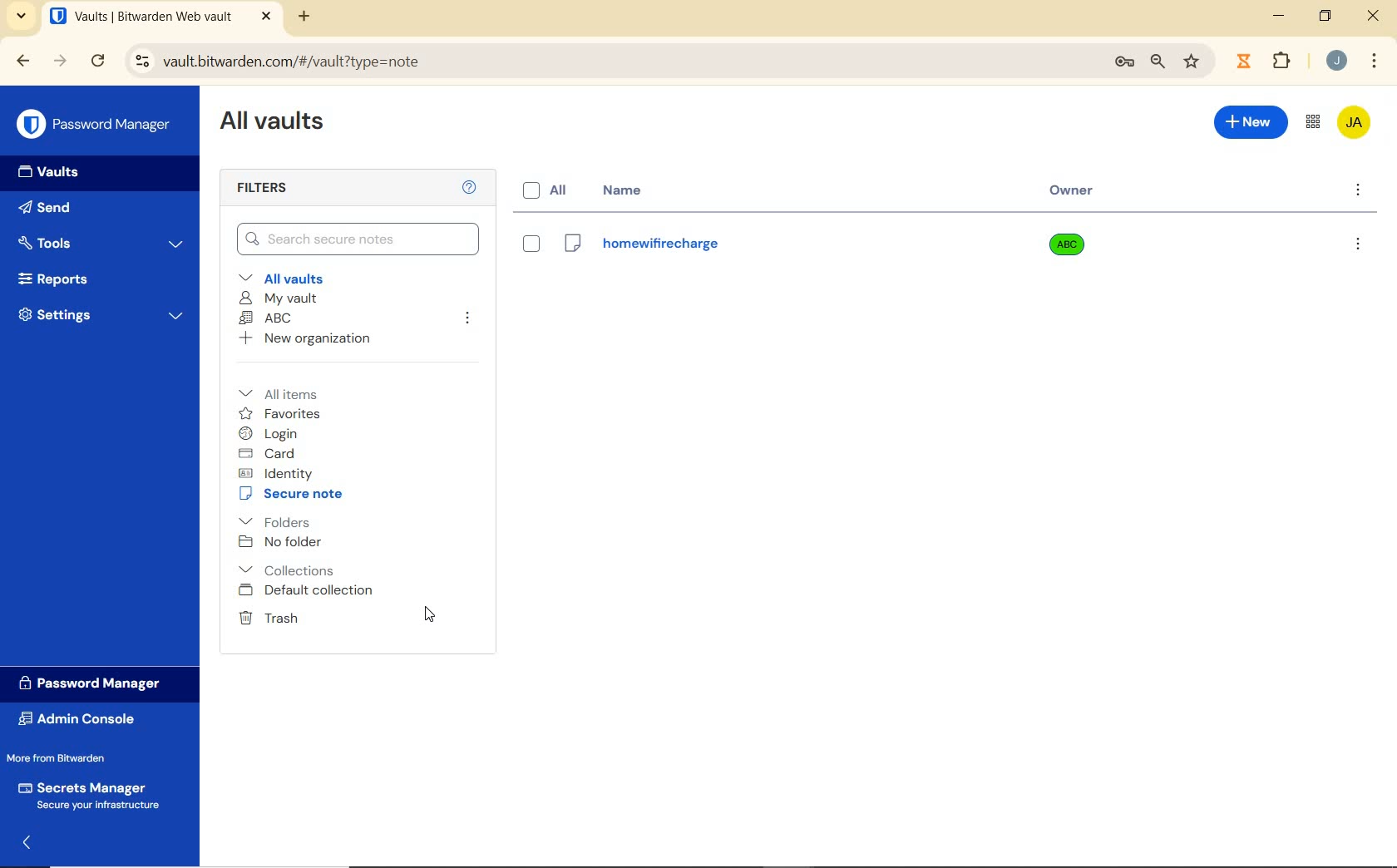 Image resolution: width=1397 pixels, height=868 pixels. I want to click on All Vaults, so click(273, 124).